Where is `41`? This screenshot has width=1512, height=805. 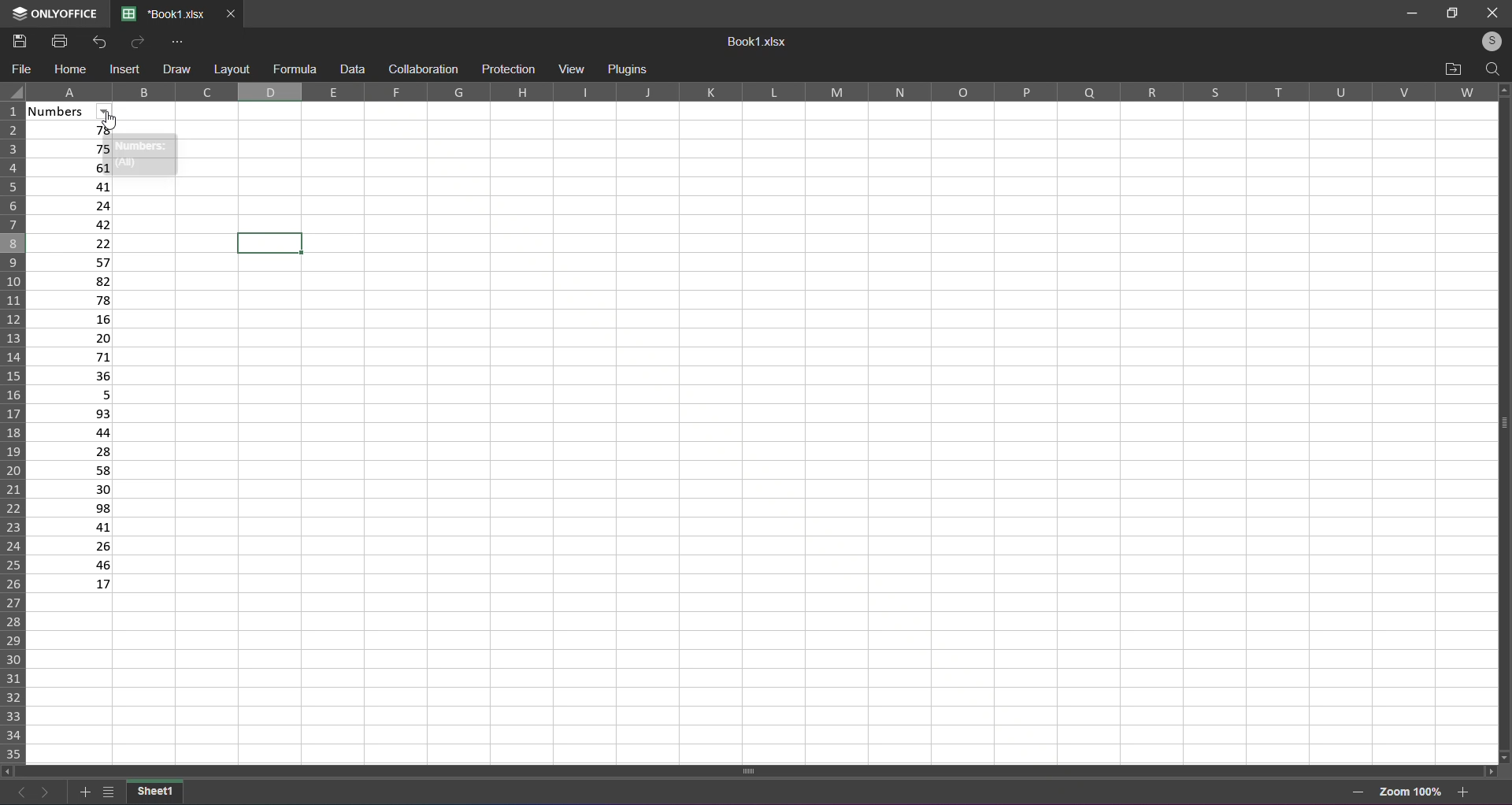 41 is located at coordinates (70, 526).